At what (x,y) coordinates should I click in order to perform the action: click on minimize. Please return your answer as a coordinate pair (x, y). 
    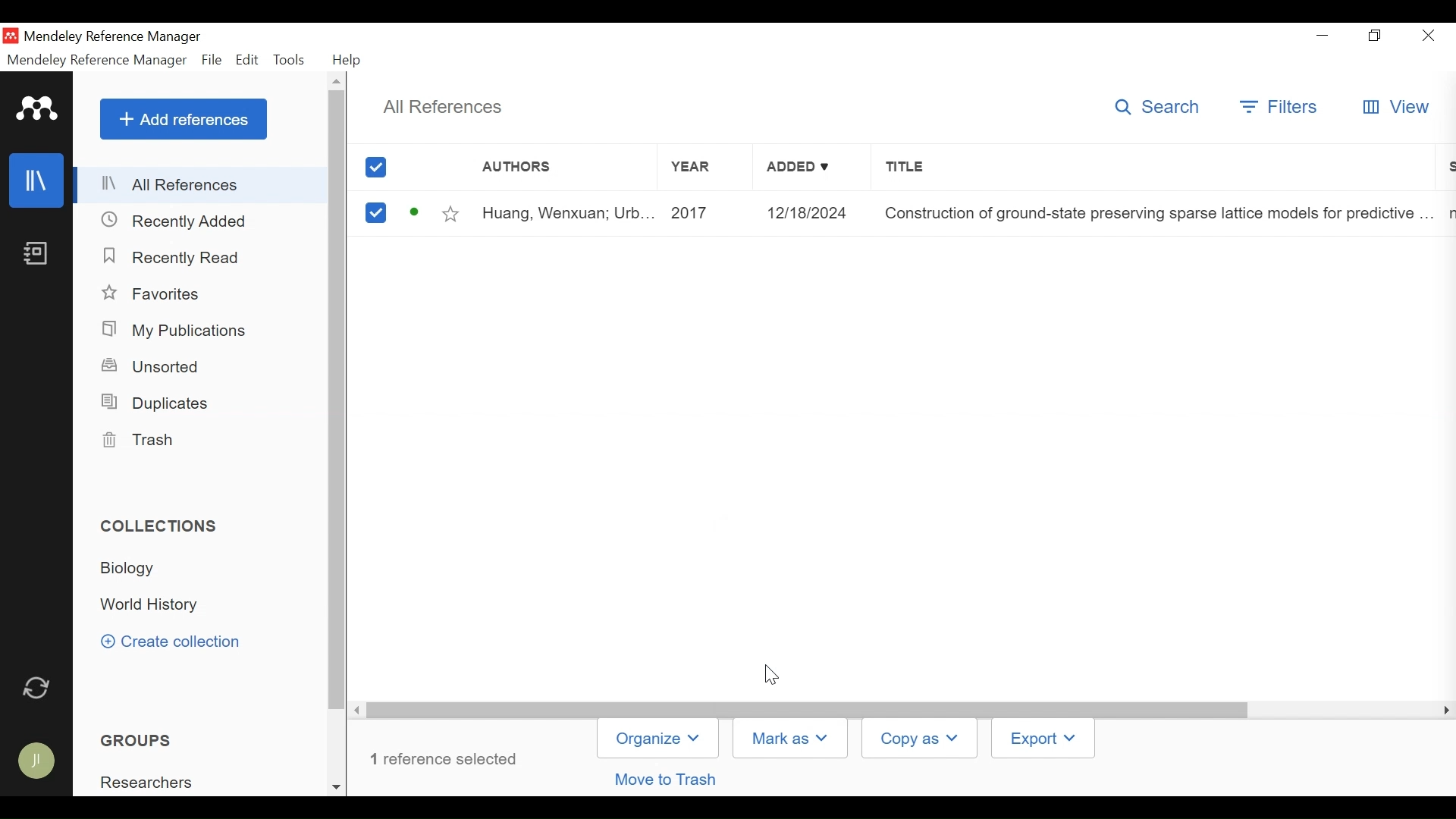
    Looking at the image, I should click on (1323, 33).